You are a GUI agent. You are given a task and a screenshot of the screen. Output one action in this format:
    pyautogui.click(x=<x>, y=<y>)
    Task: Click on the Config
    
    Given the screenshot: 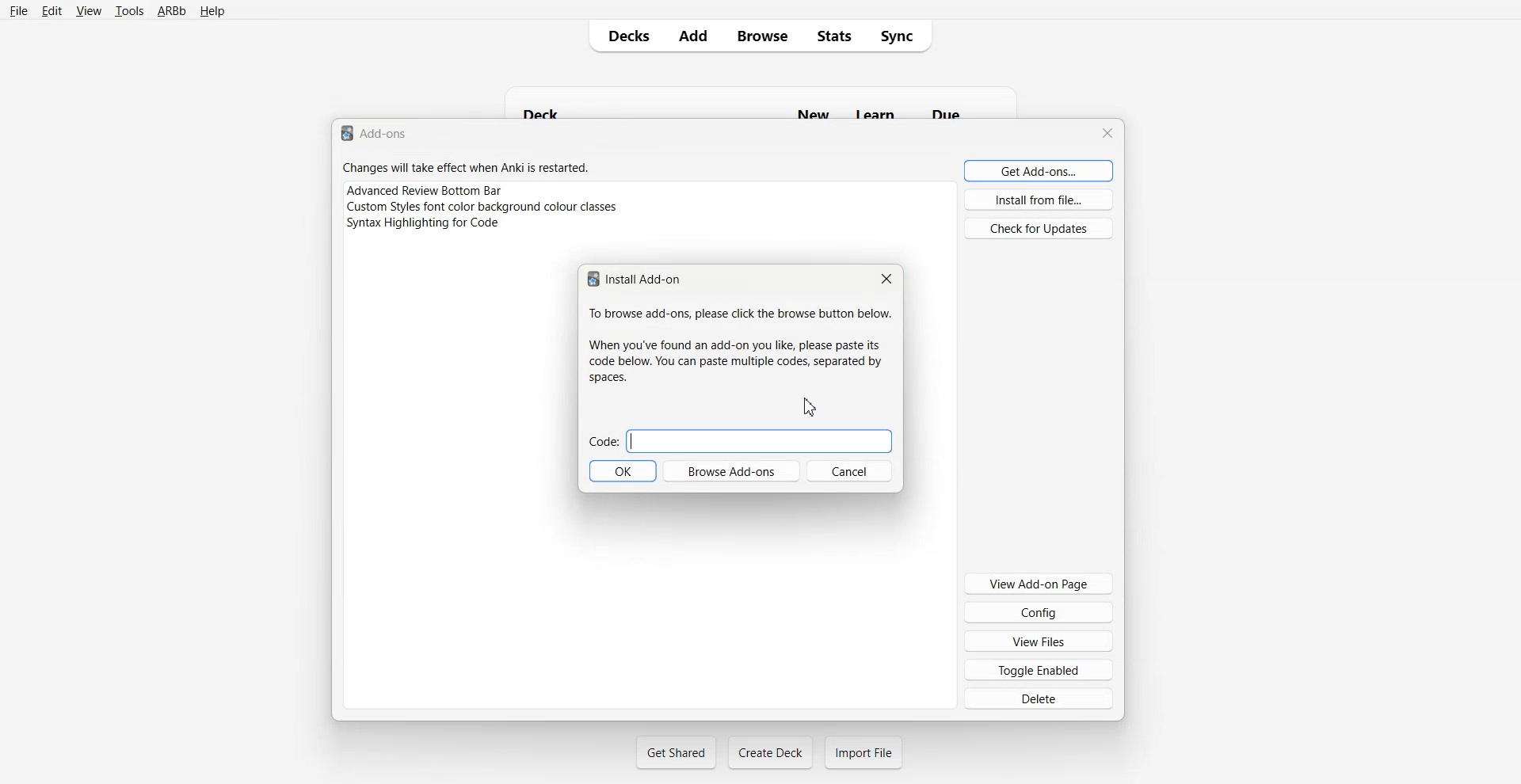 What is the action you would take?
    pyautogui.click(x=1040, y=611)
    